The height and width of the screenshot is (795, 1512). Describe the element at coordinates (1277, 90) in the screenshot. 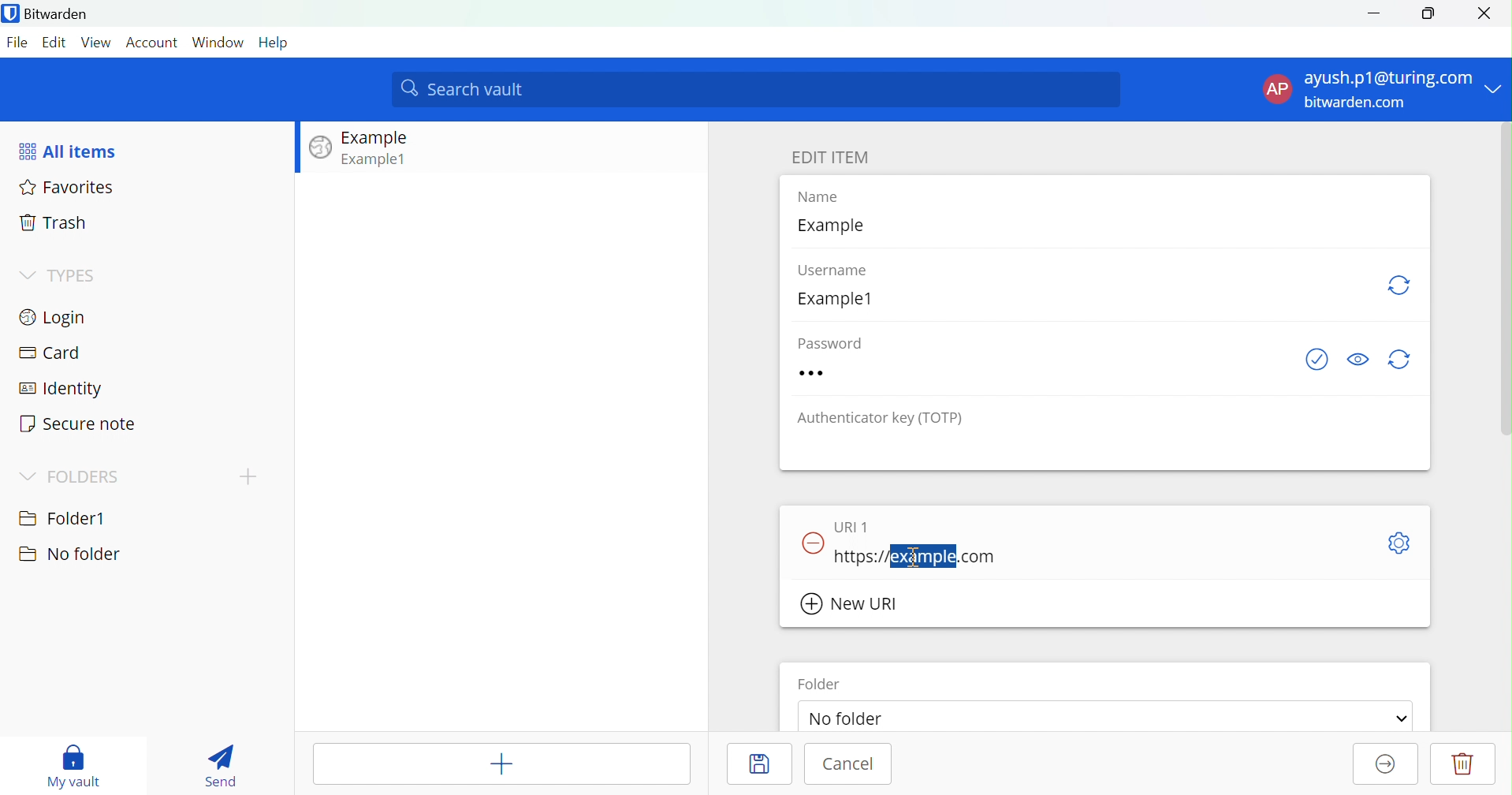

I see `AP` at that location.